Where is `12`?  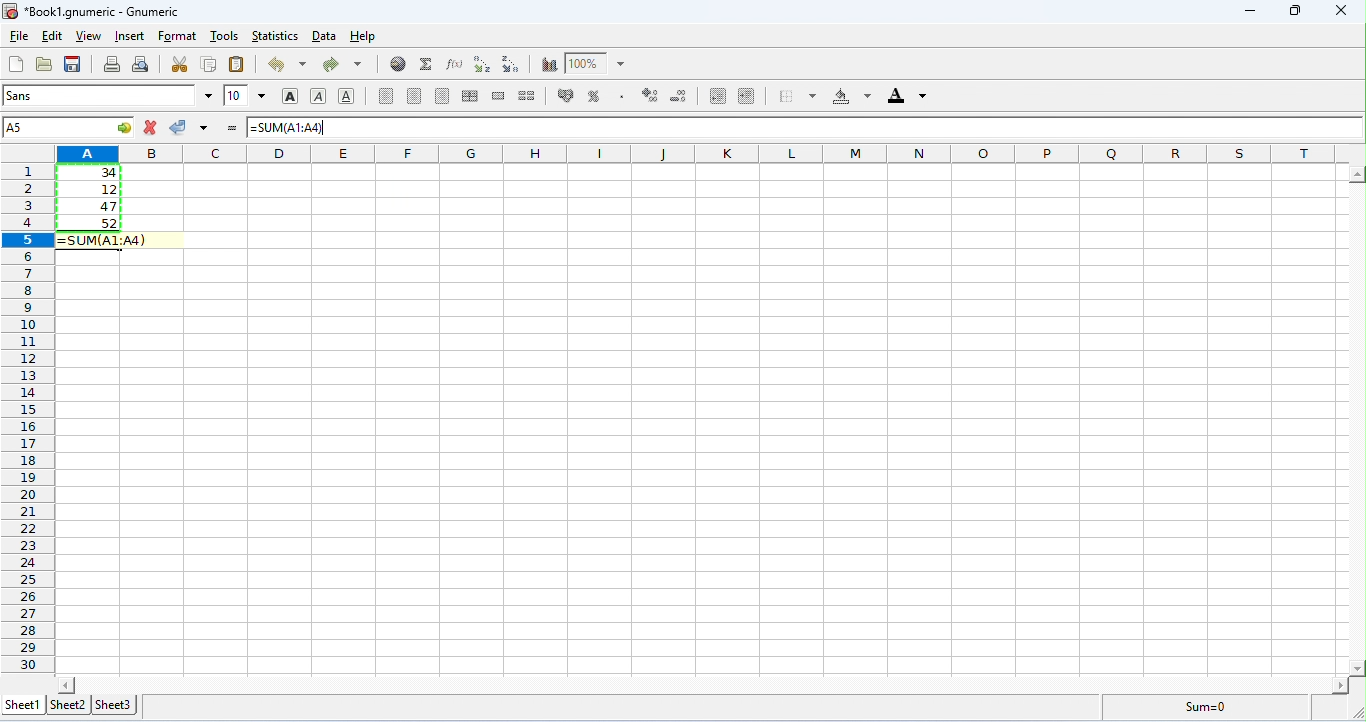
12 is located at coordinates (92, 190).